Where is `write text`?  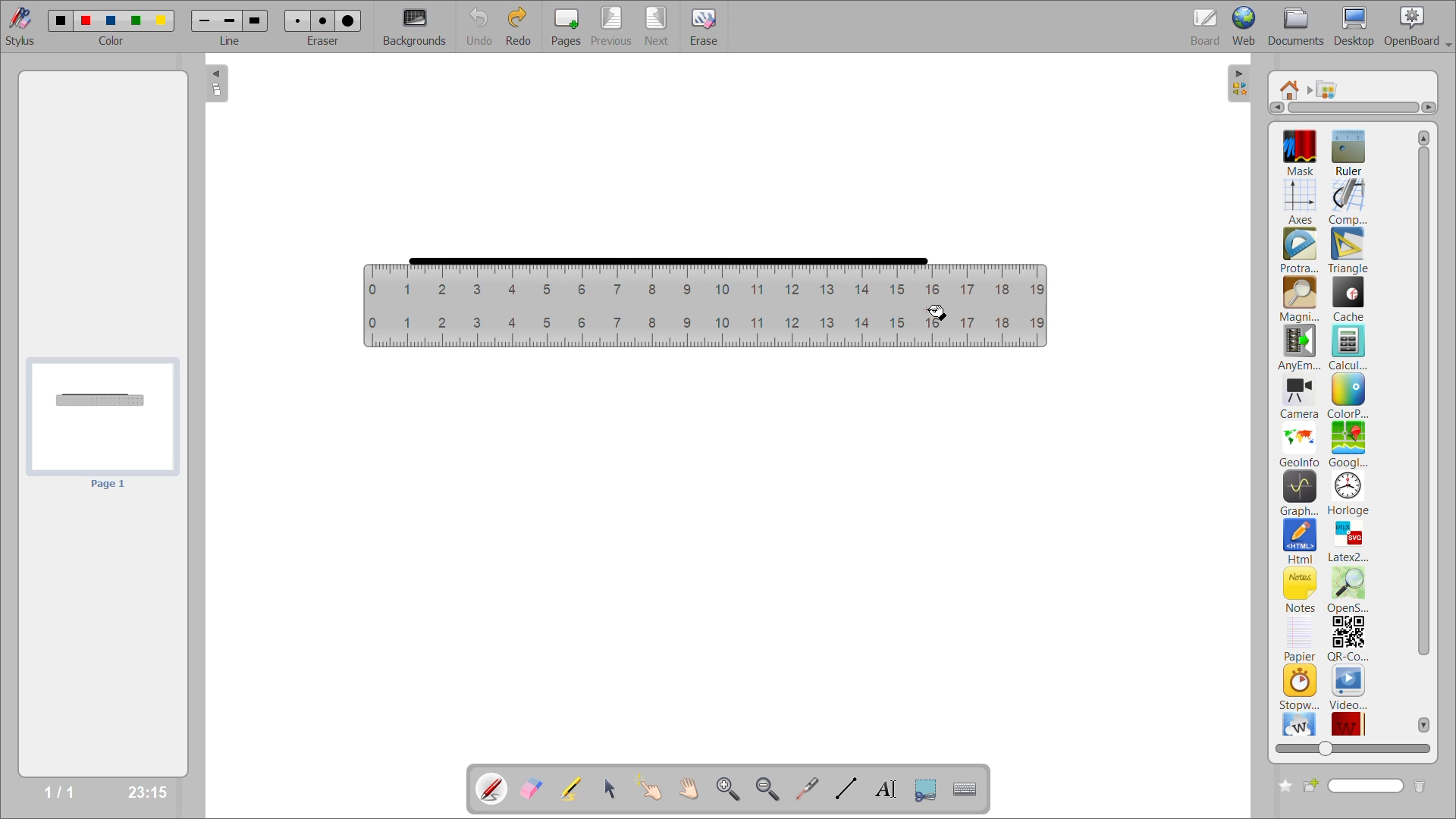
write text is located at coordinates (885, 789).